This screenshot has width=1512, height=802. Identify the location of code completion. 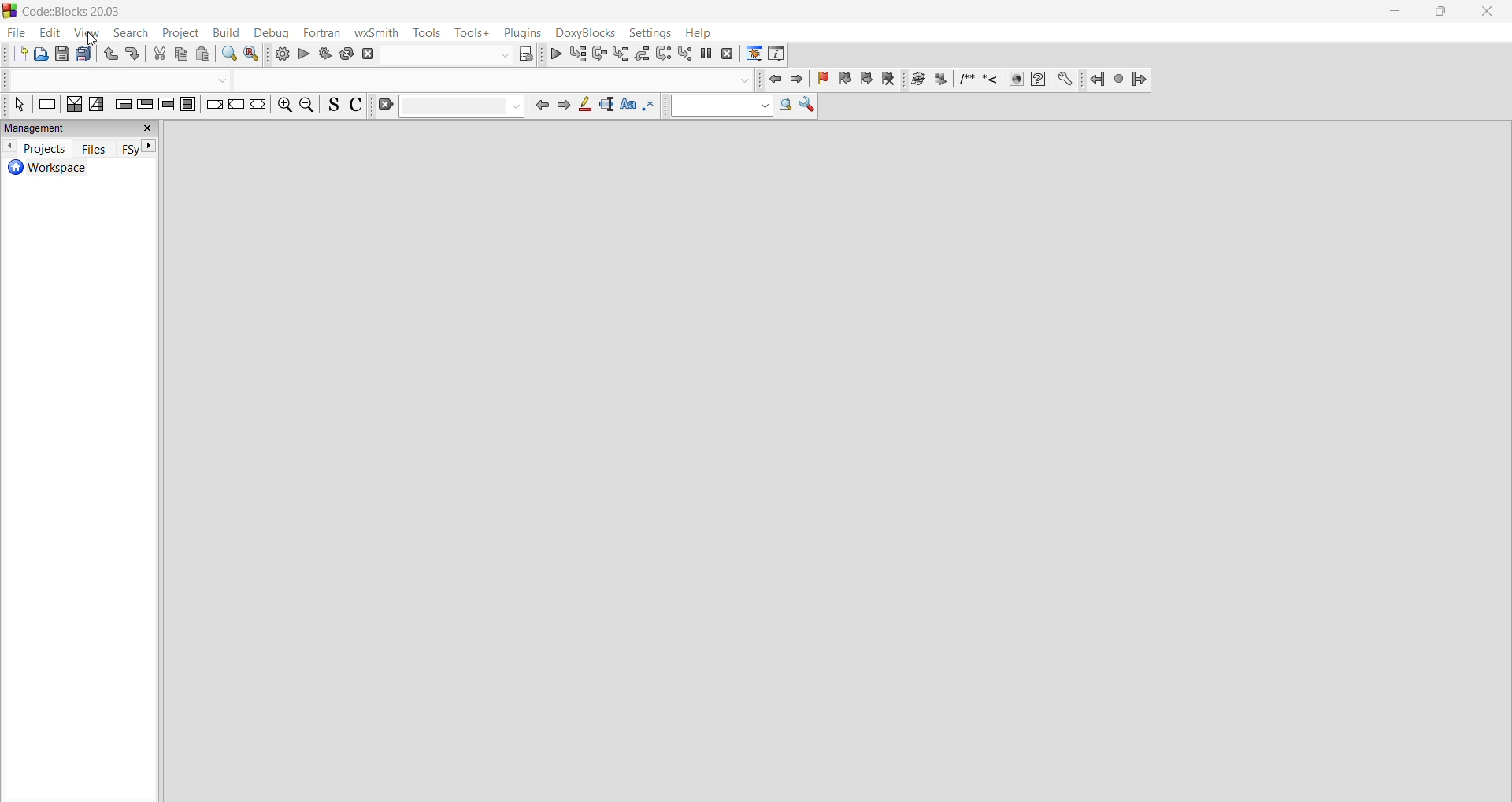
(379, 80).